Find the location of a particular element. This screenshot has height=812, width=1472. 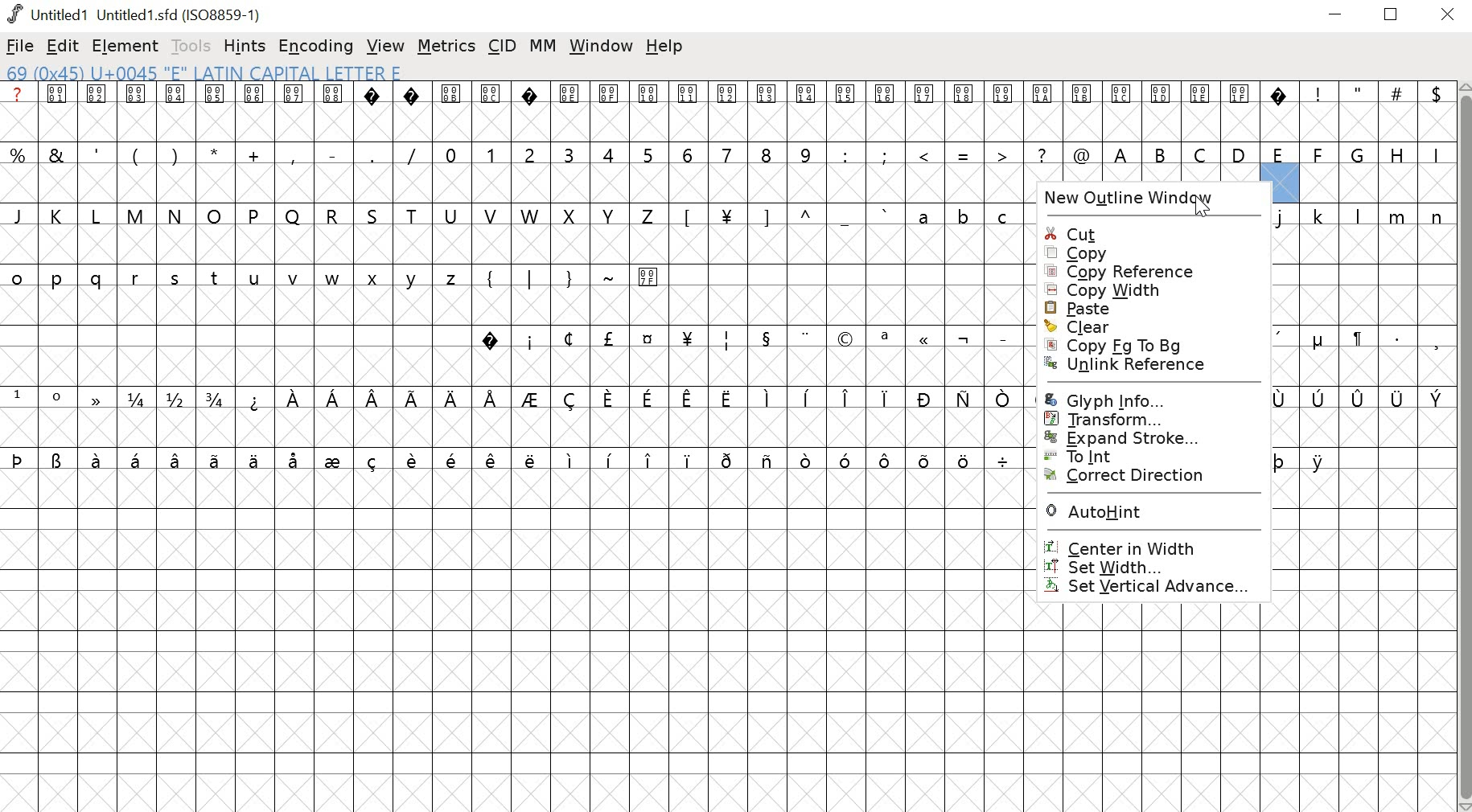

COPY REFERENCE is located at coordinates (1145, 273).